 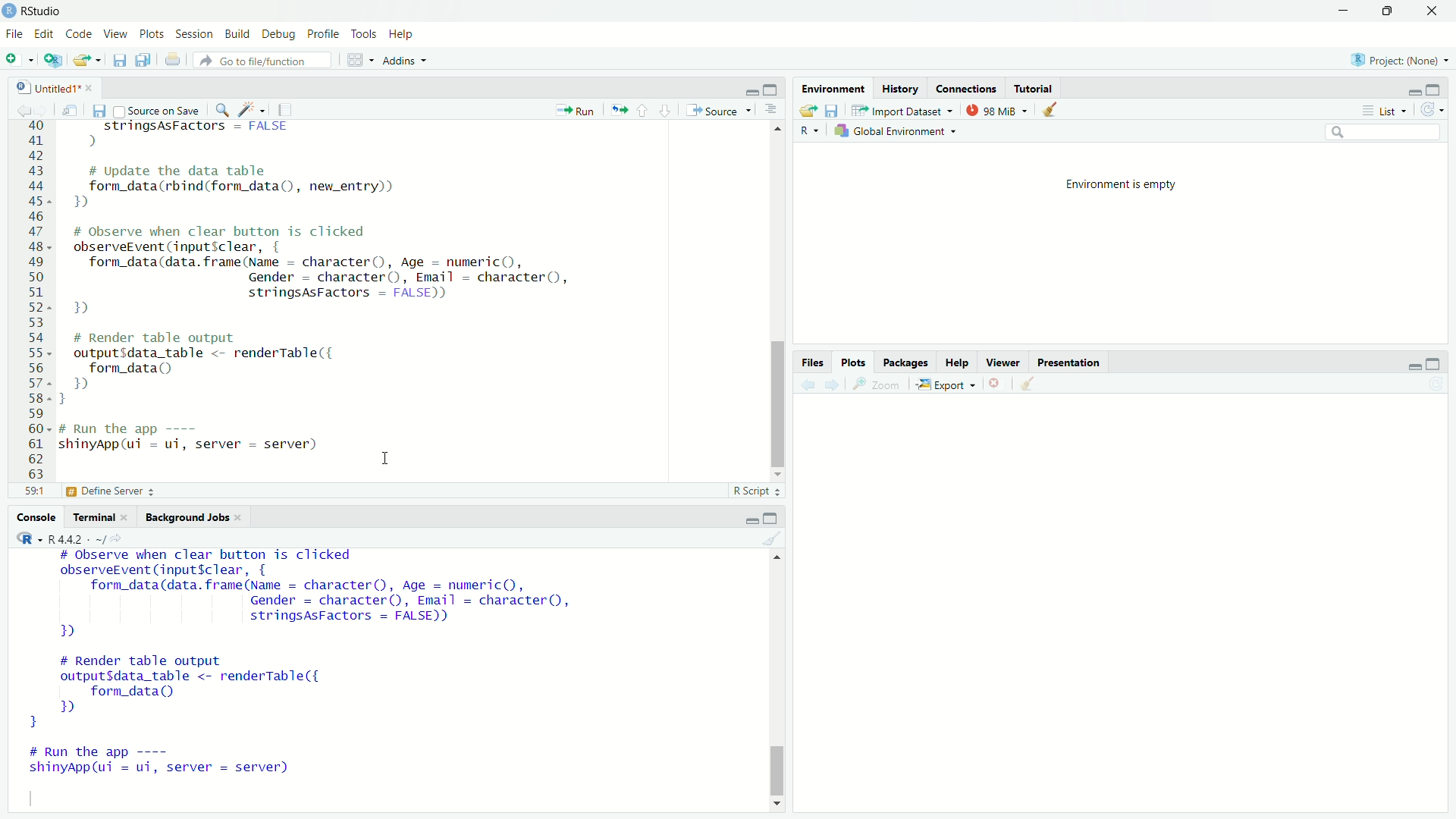 I want to click on workspace panes, so click(x=358, y=58).